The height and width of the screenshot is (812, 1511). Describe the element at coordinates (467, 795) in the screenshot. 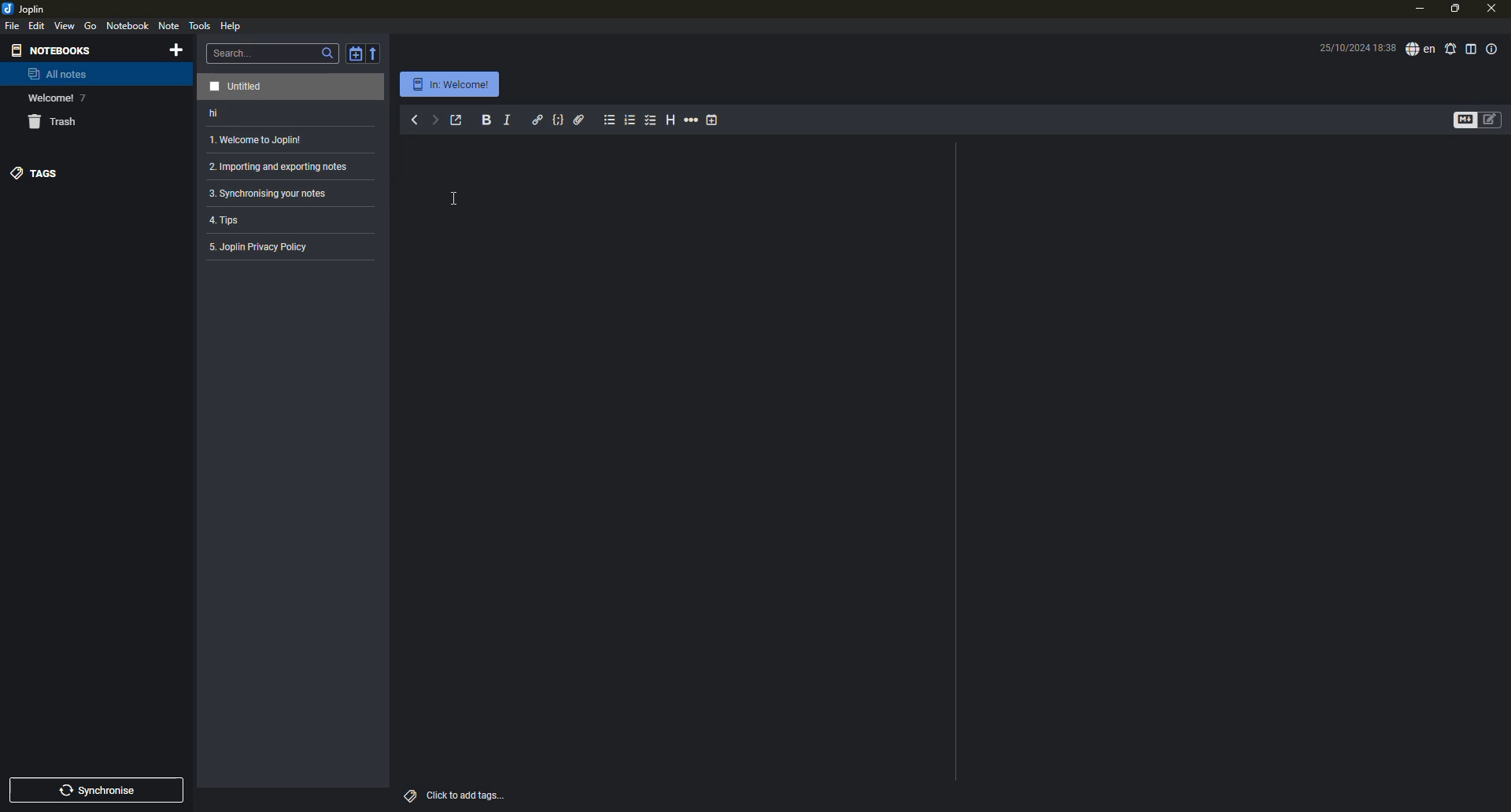

I see `click to add tags` at that location.